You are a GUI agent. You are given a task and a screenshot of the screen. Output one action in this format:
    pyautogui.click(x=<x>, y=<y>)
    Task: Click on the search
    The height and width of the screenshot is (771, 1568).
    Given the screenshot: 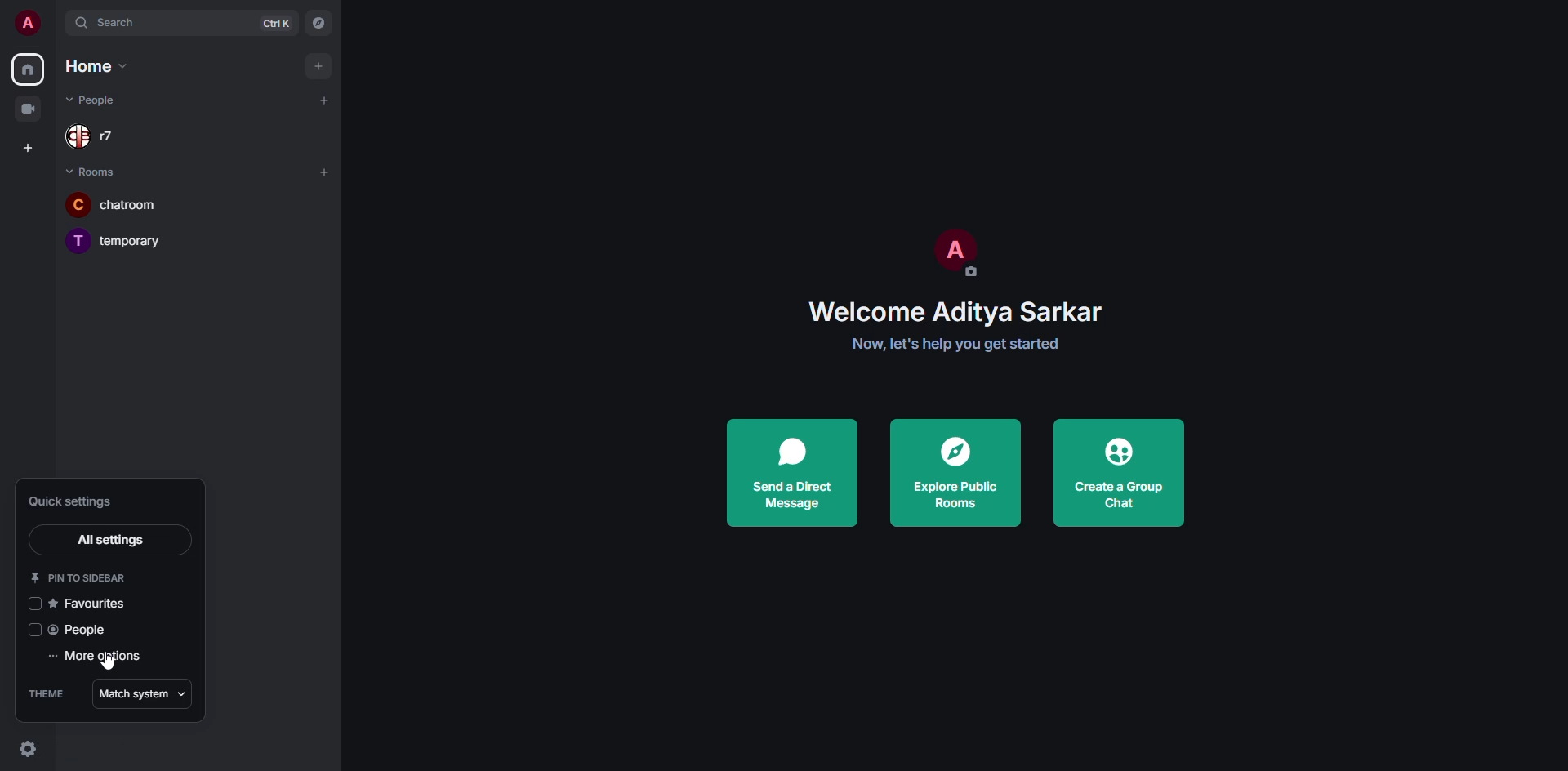 What is the action you would take?
    pyautogui.click(x=120, y=23)
    